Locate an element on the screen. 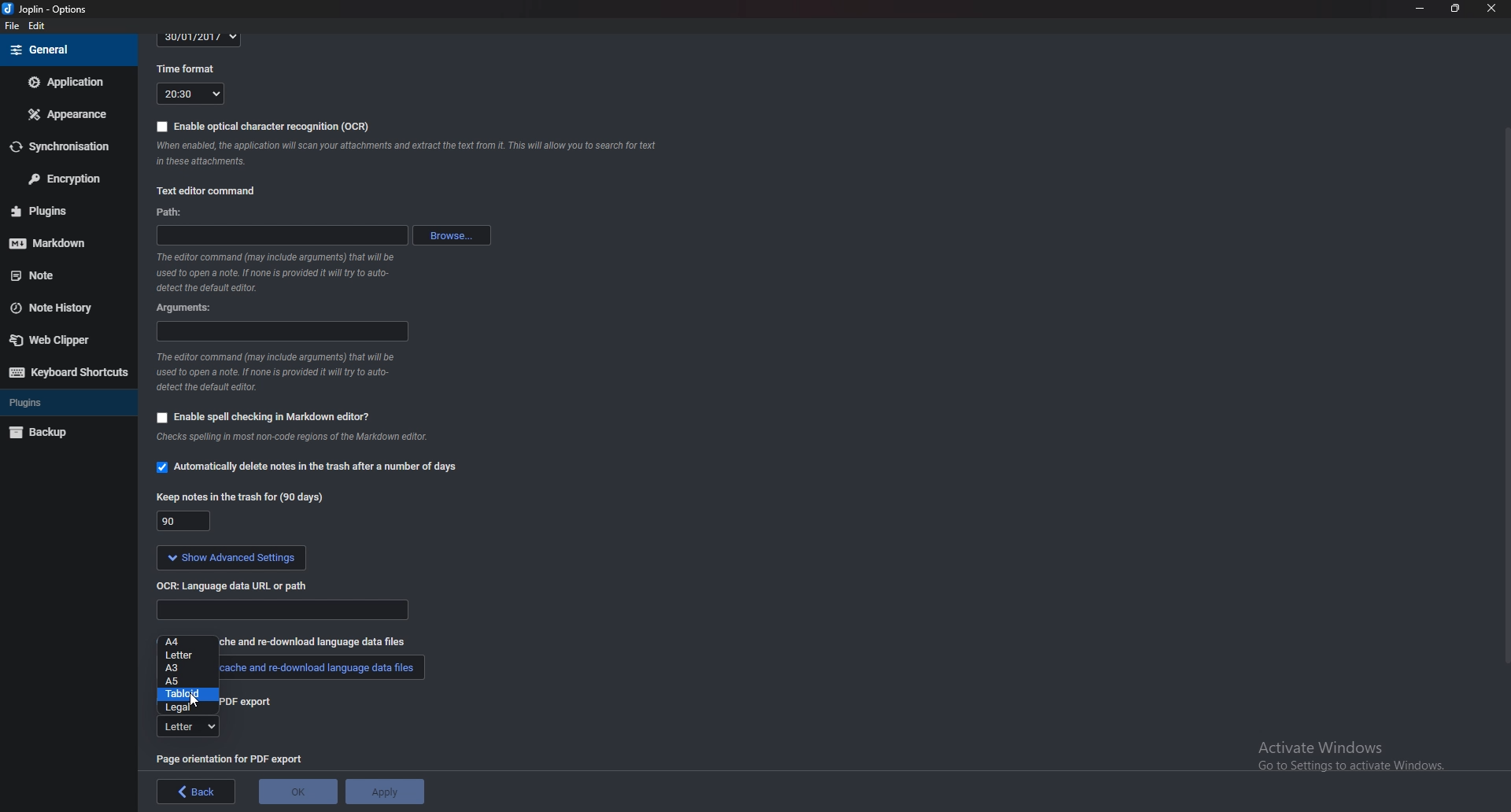 Image resolution: width=1511 pixels, height=812 pixels. Synchronization is located at coordinates (66, 145).